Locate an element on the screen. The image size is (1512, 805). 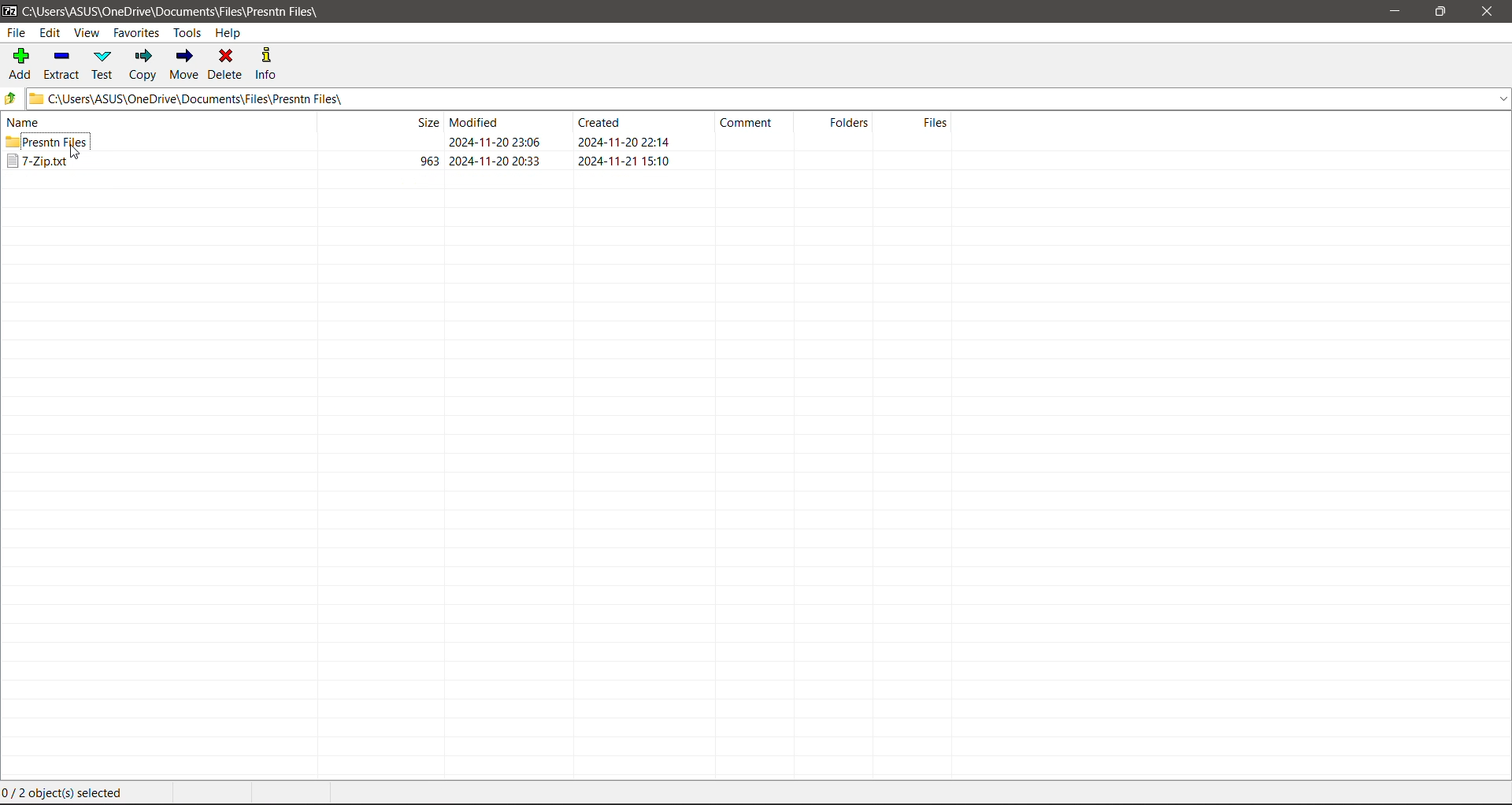
Crested is located at coordinates (601, 119).